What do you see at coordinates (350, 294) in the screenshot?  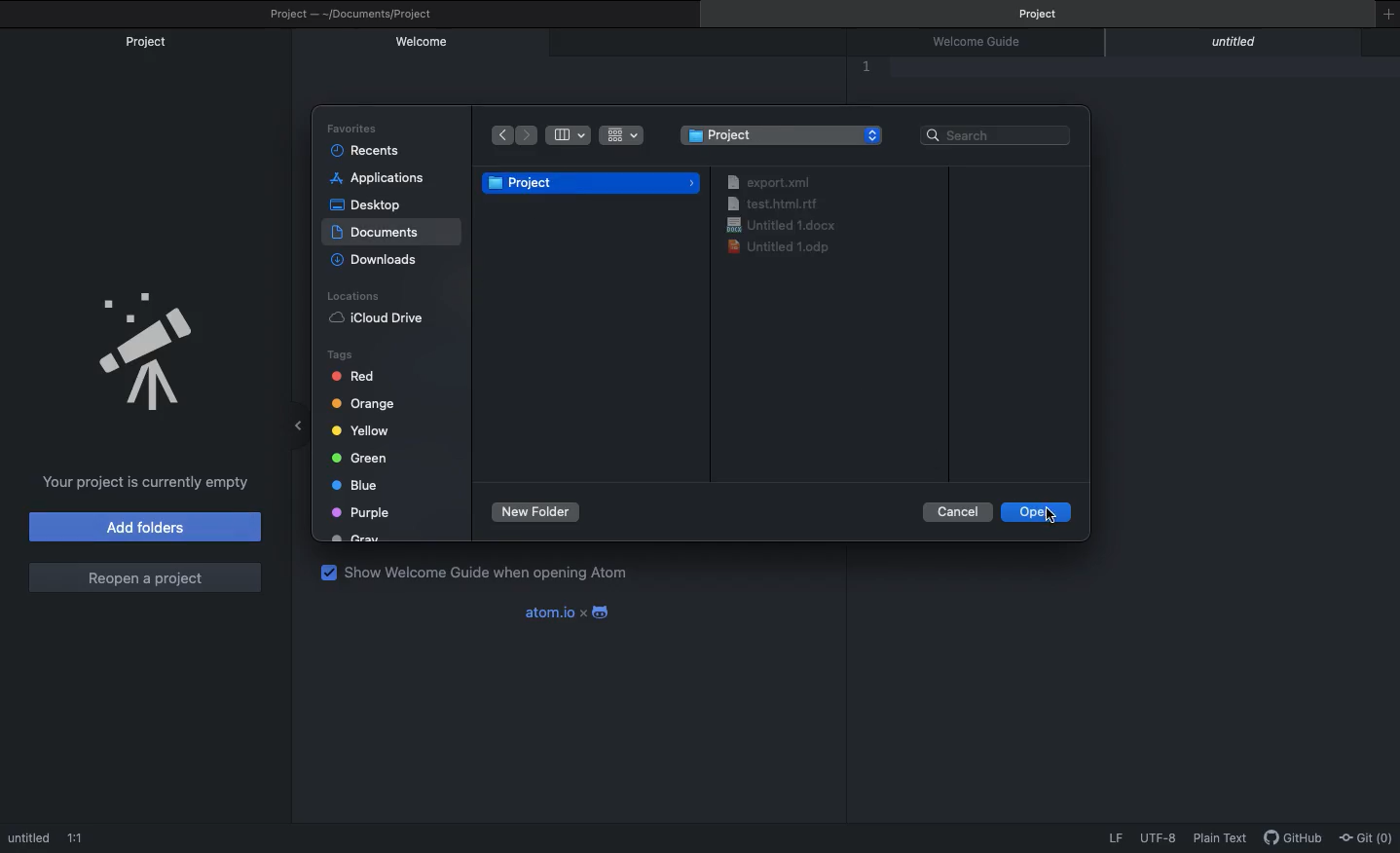 I see `Locations` at bounding box center [350, 294].